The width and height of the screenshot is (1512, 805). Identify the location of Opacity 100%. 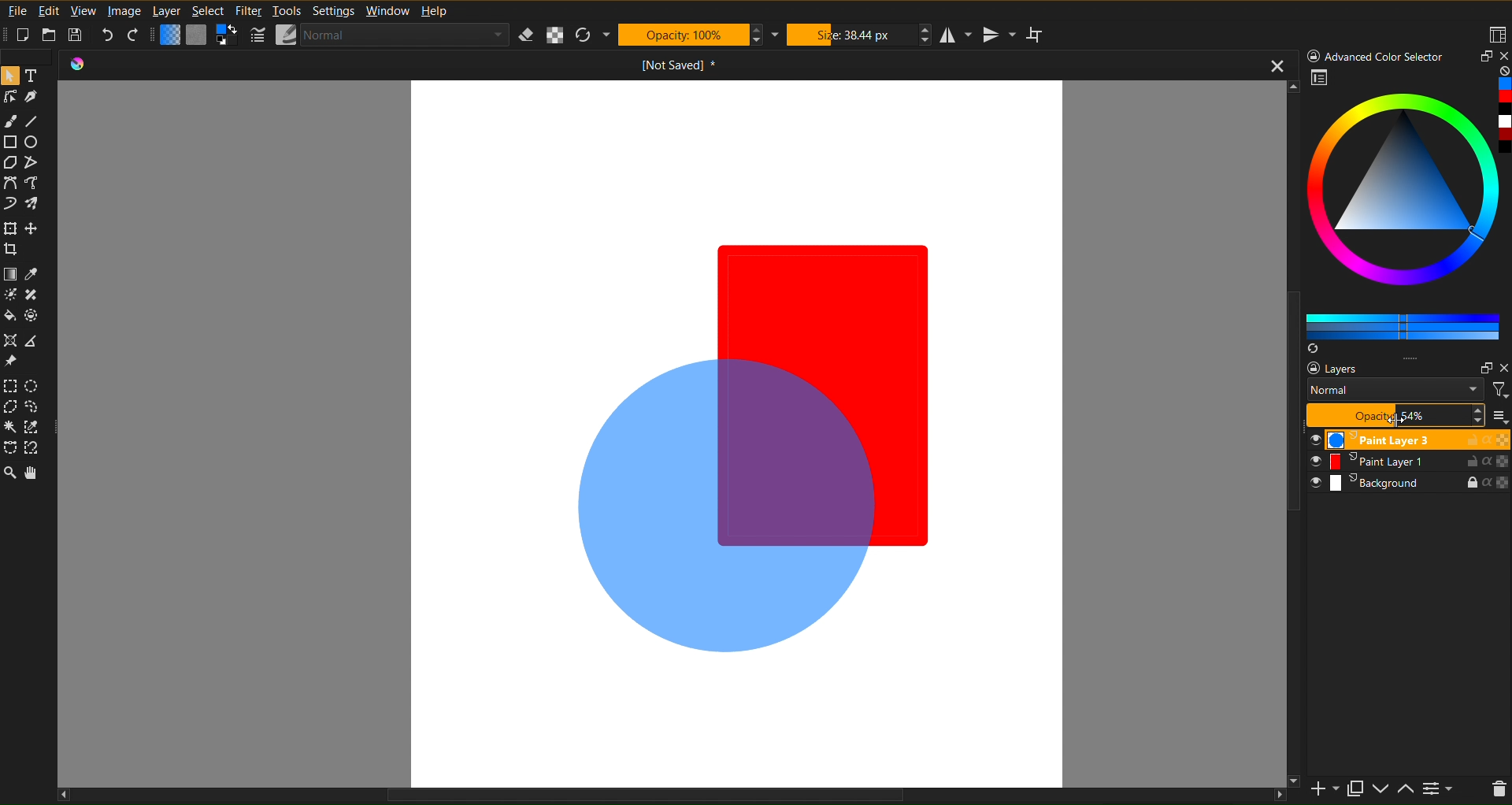
(1394, 415).